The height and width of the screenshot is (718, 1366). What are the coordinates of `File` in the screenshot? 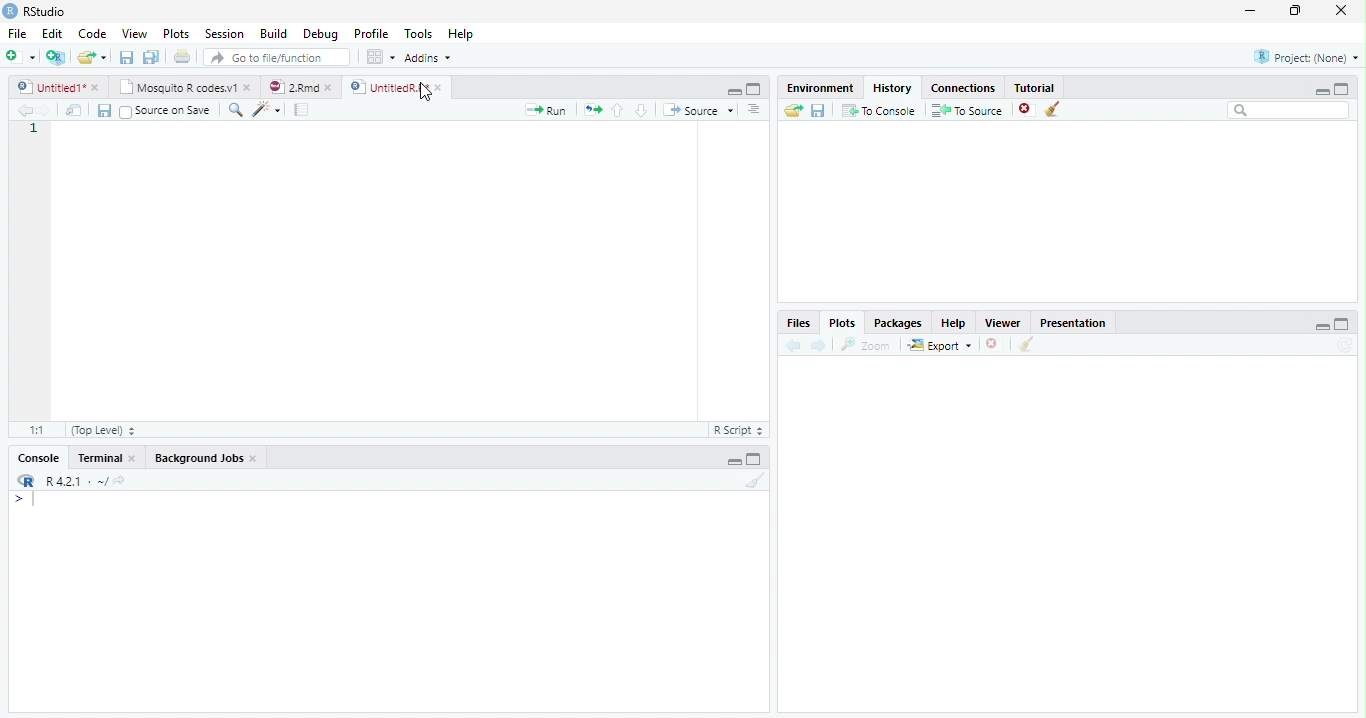 It's located at (15, 31).